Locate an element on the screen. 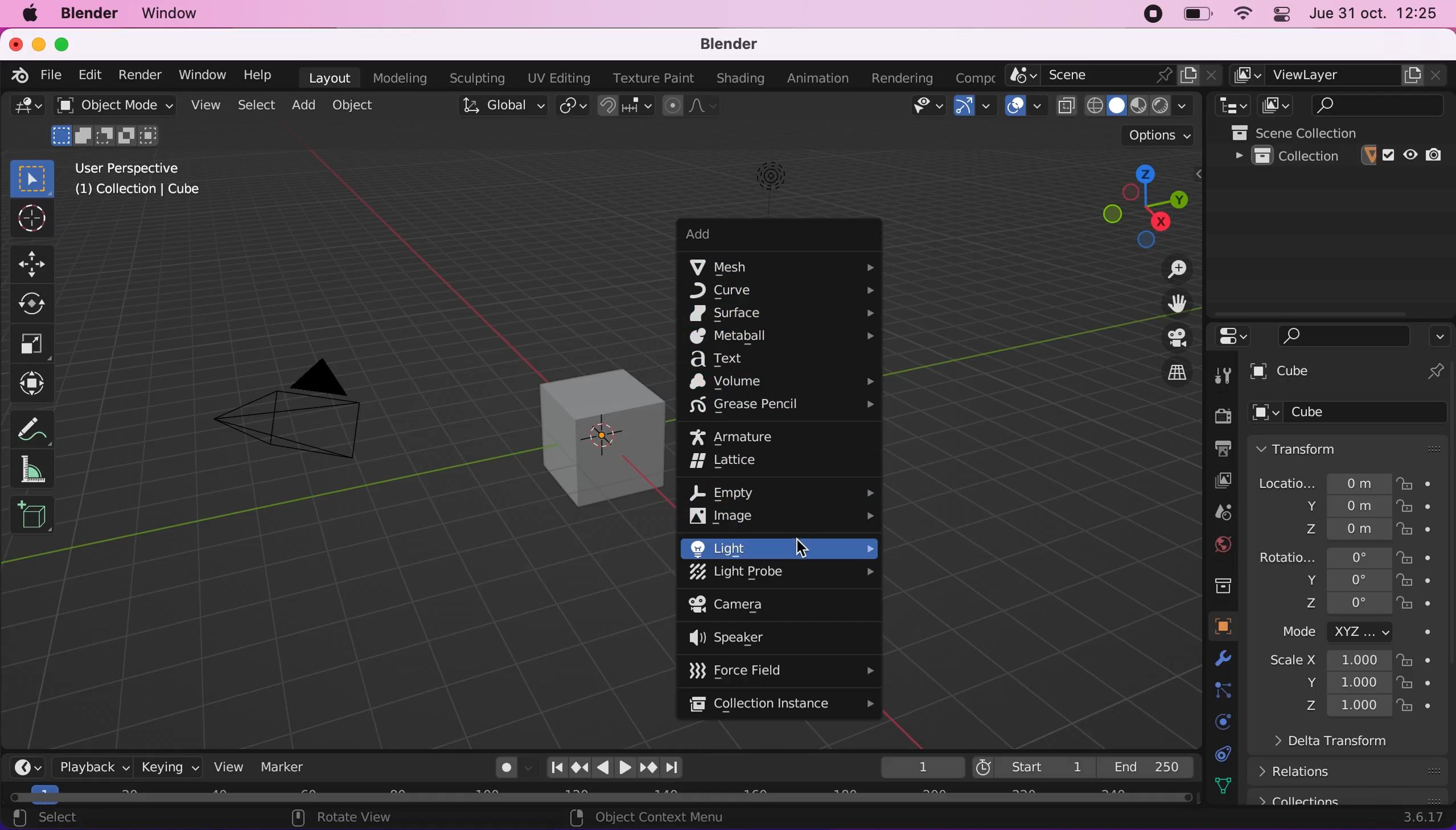 This screenshot has width=1456, height=830. armature is located at coordinates (746, 436).